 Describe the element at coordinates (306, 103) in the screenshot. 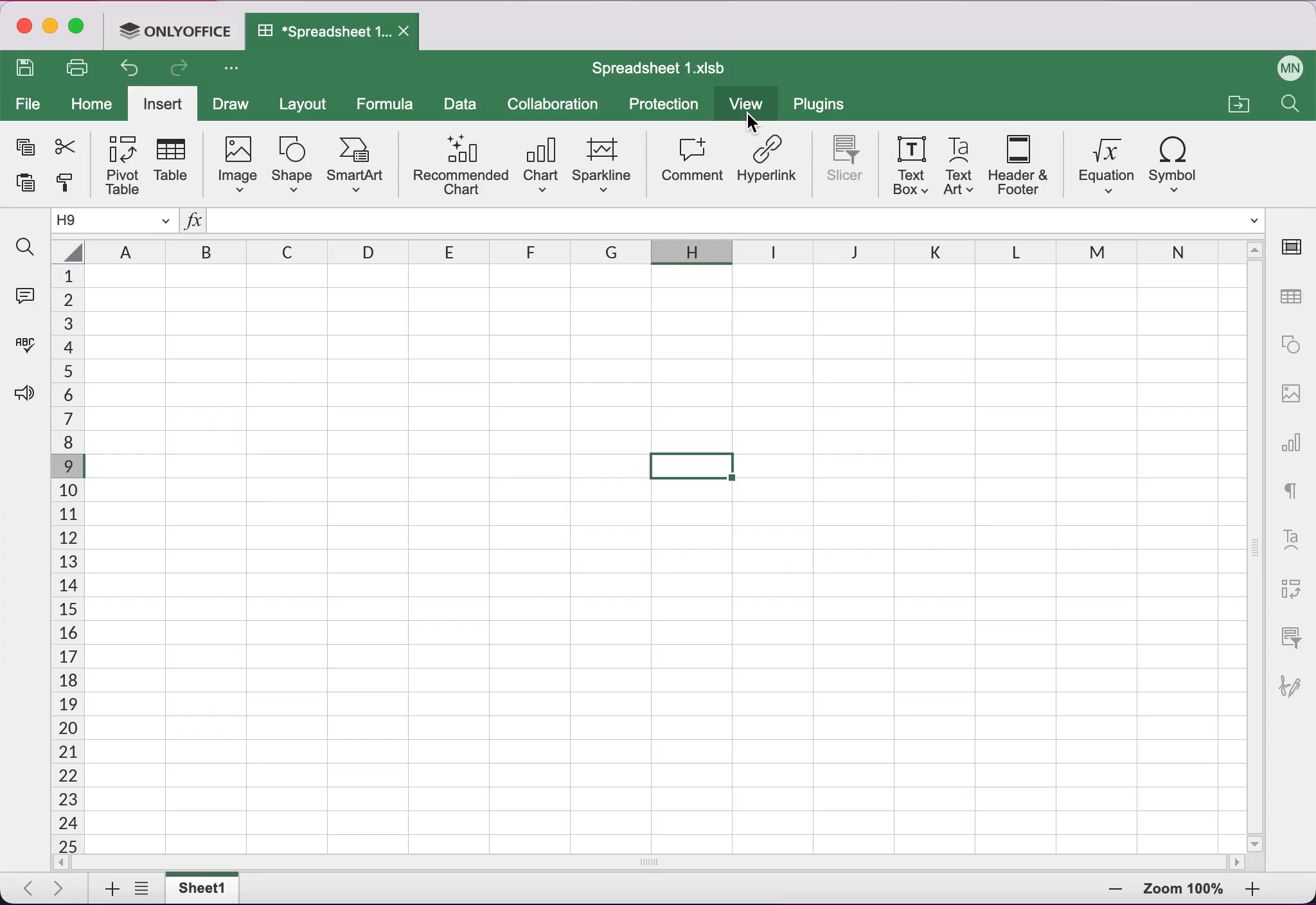

I see `layout` at that location.